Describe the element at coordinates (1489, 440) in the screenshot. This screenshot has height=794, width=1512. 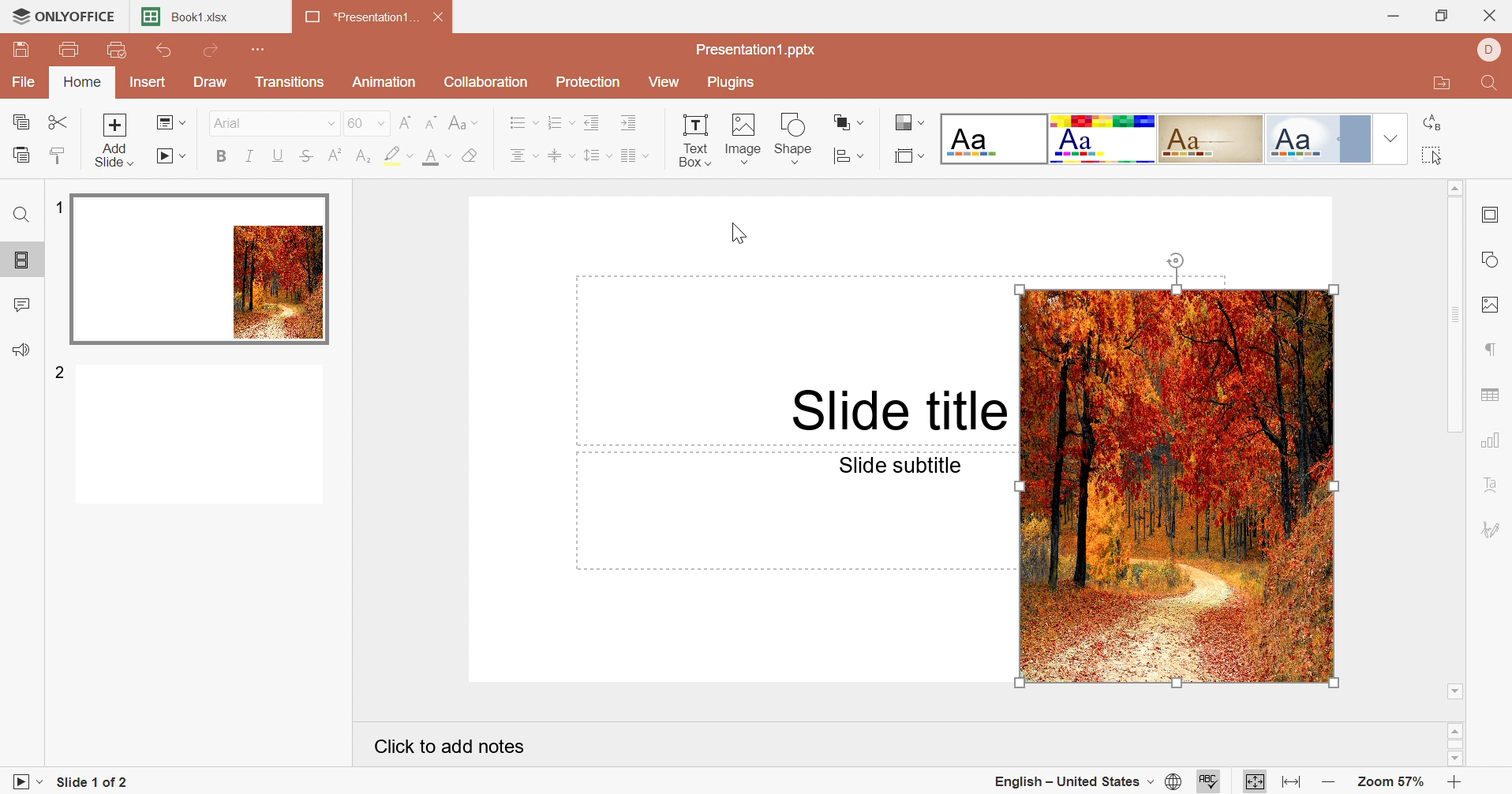
I see `Chart settings` at that location.